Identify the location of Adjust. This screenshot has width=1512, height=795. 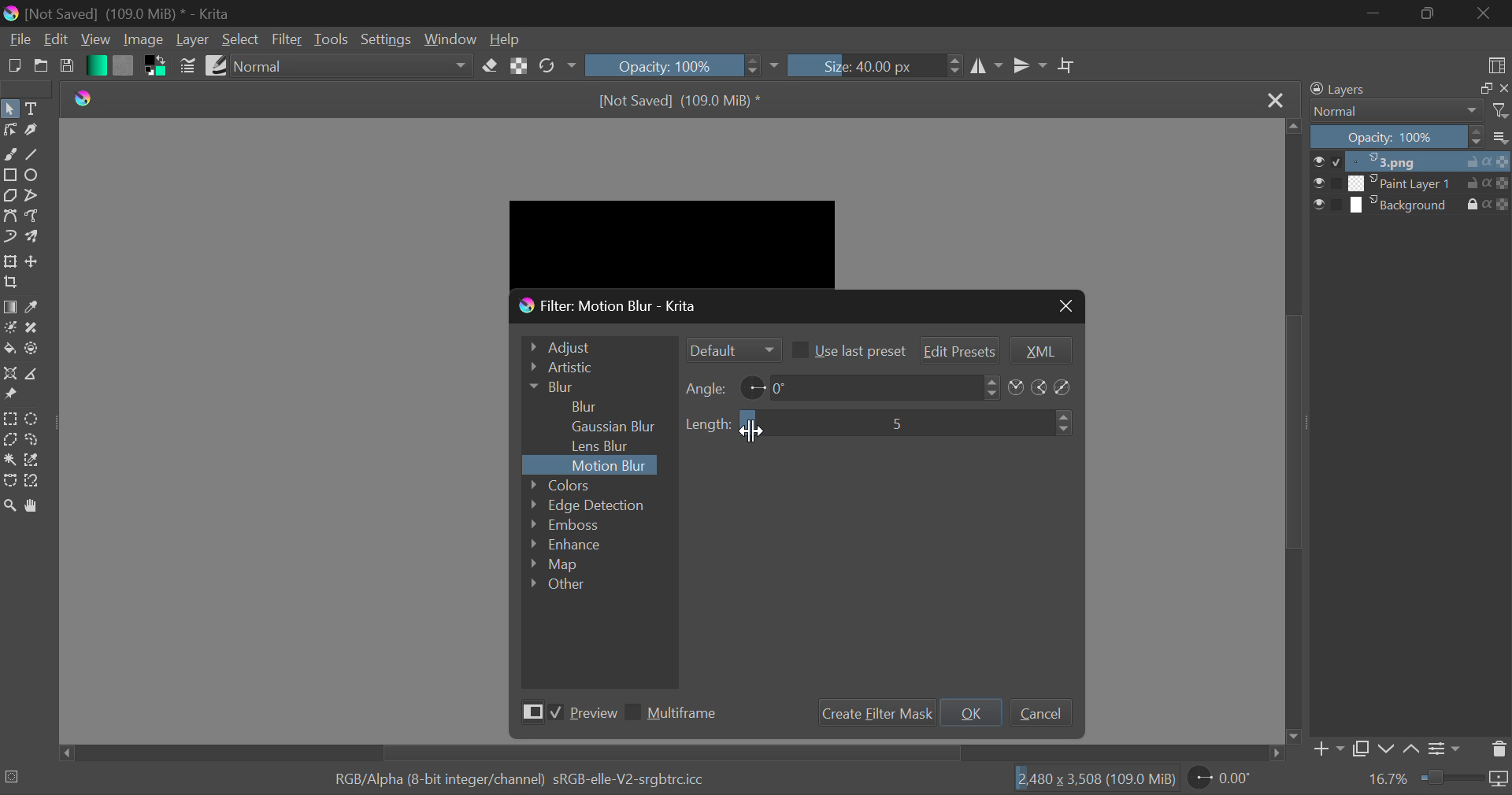
(596, 345).